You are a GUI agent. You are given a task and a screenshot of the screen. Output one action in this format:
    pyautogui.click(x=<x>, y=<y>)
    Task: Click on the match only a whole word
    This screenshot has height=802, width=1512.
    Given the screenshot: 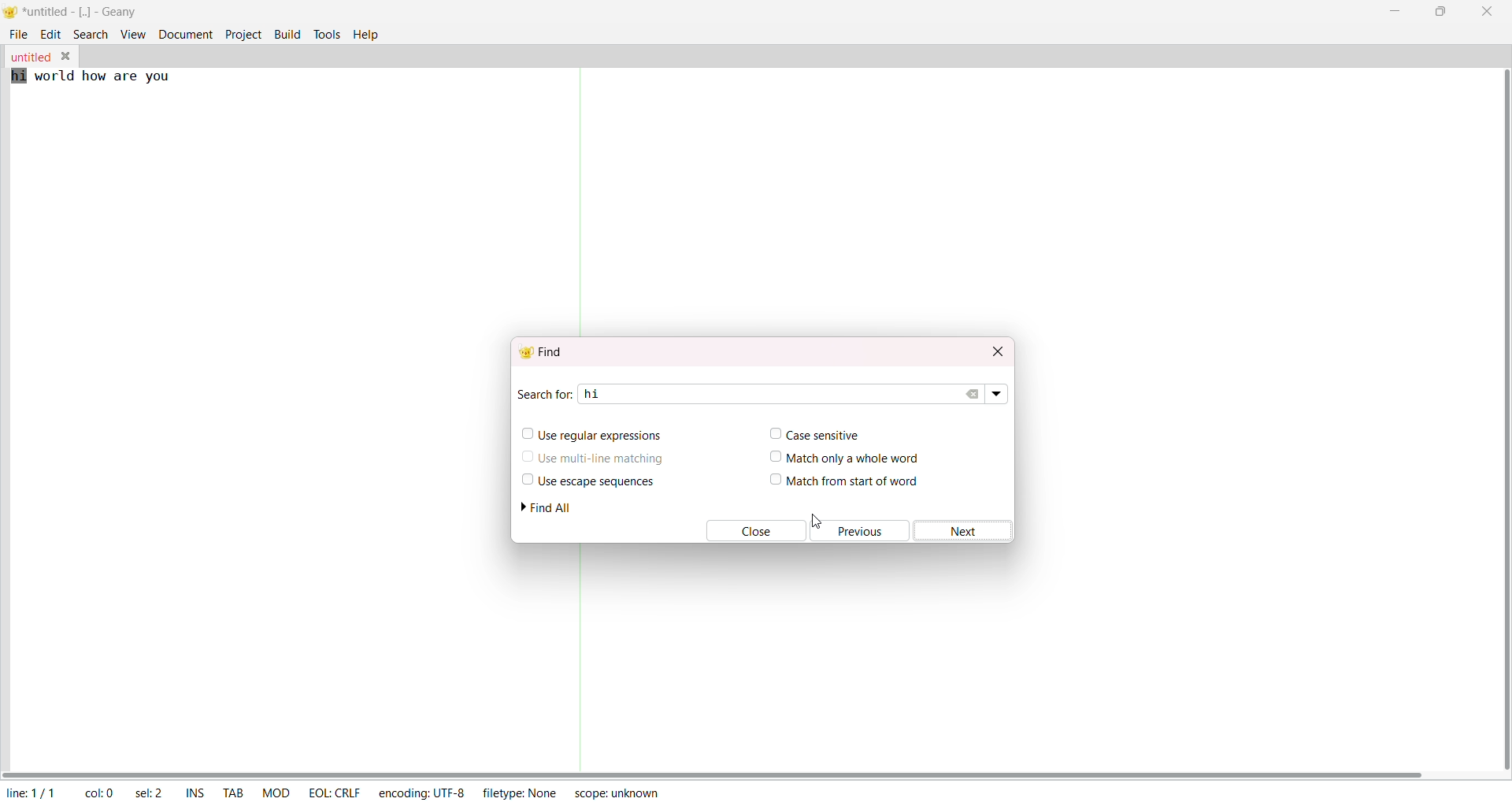 What is the action you would take?
    pyautogui.click(x=846, y=458)
    